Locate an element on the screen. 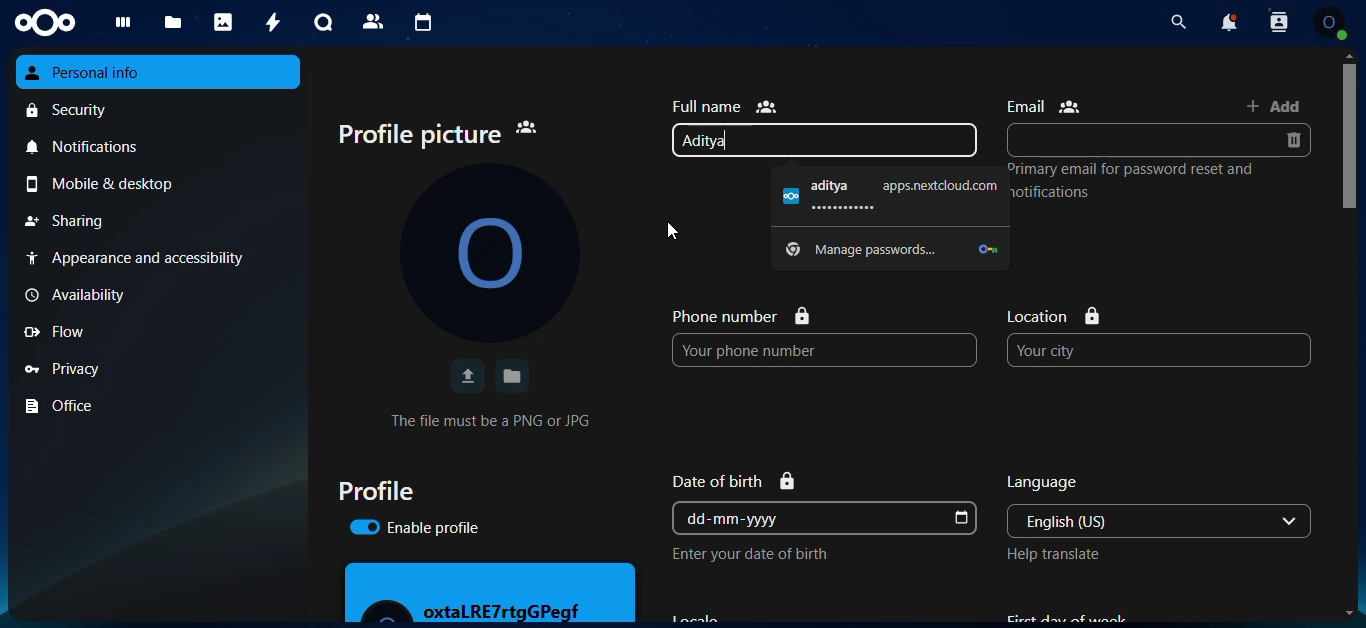 Image resolution: width=1366 pixels, height=628 pixels. Manage passwords... is located at coordinates (890, 250).